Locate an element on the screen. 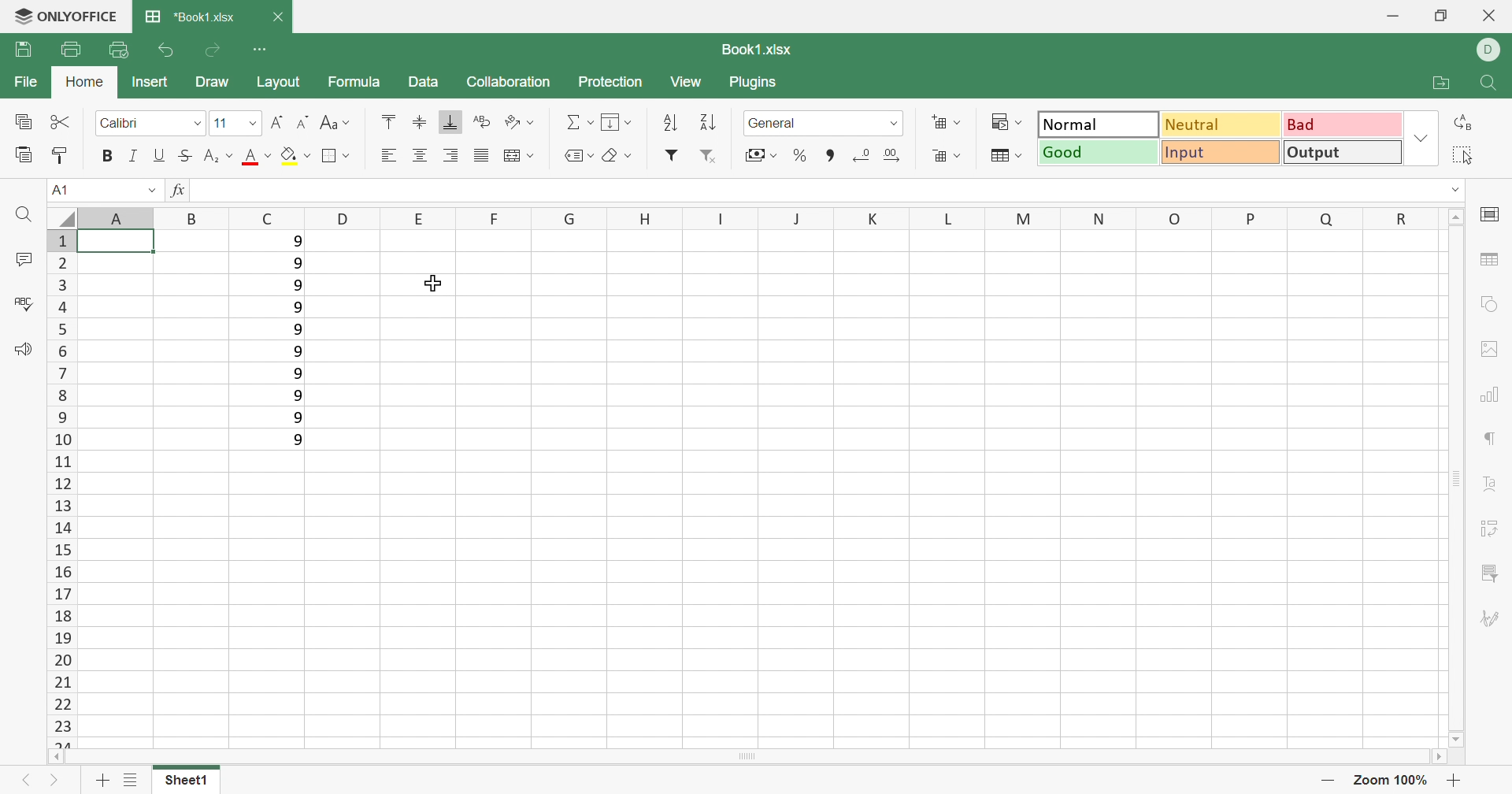  Open file location is located at coordinates (1447, 84).